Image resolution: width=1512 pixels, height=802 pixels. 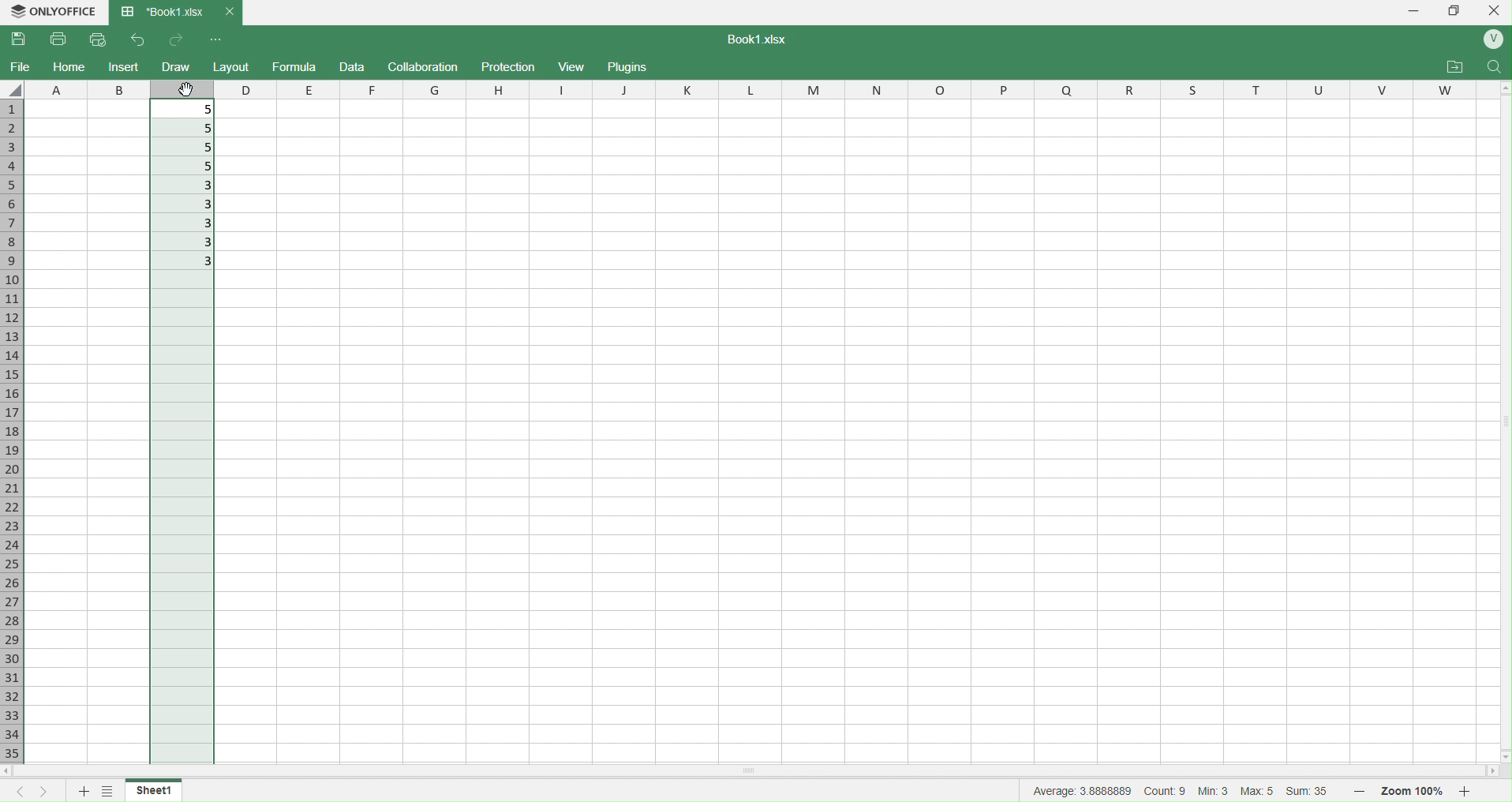 What do you see at coordinates (1214, 792) in the screenshot?
I see `Min` at bounding box center [1214, 792].